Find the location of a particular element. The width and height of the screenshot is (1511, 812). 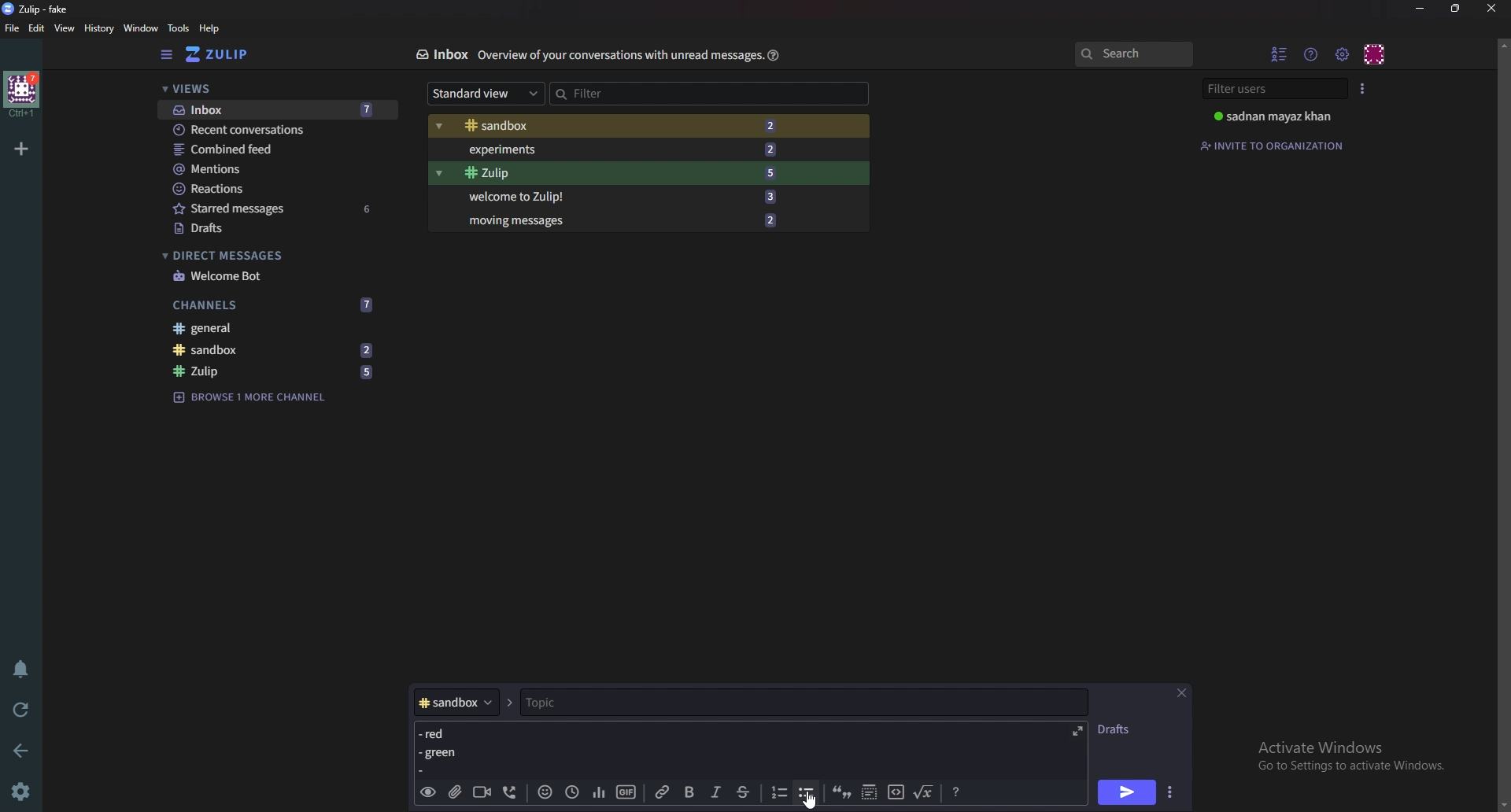

Topic is located at coordinates (792, 703).